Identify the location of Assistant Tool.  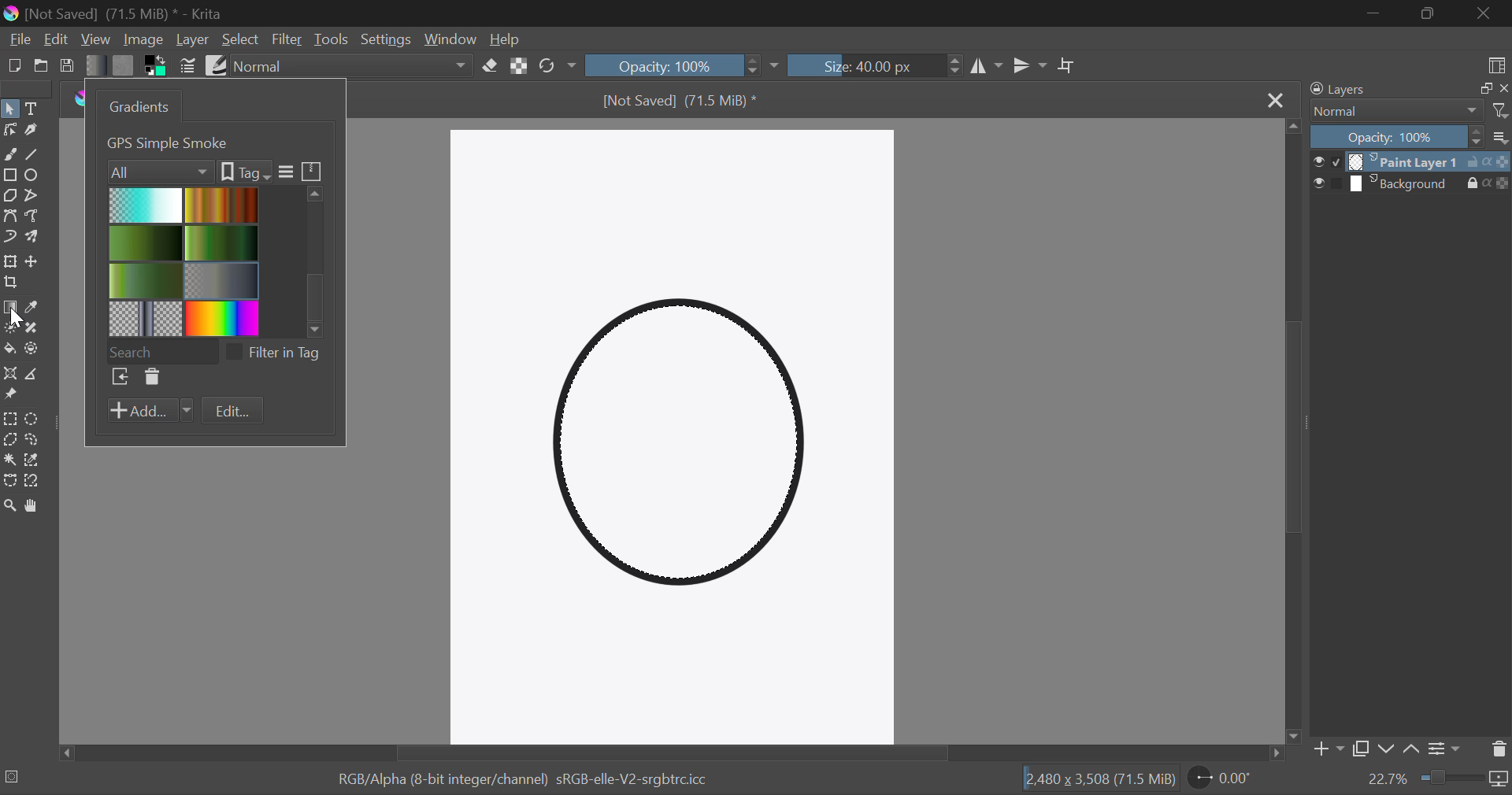
(10, 372).